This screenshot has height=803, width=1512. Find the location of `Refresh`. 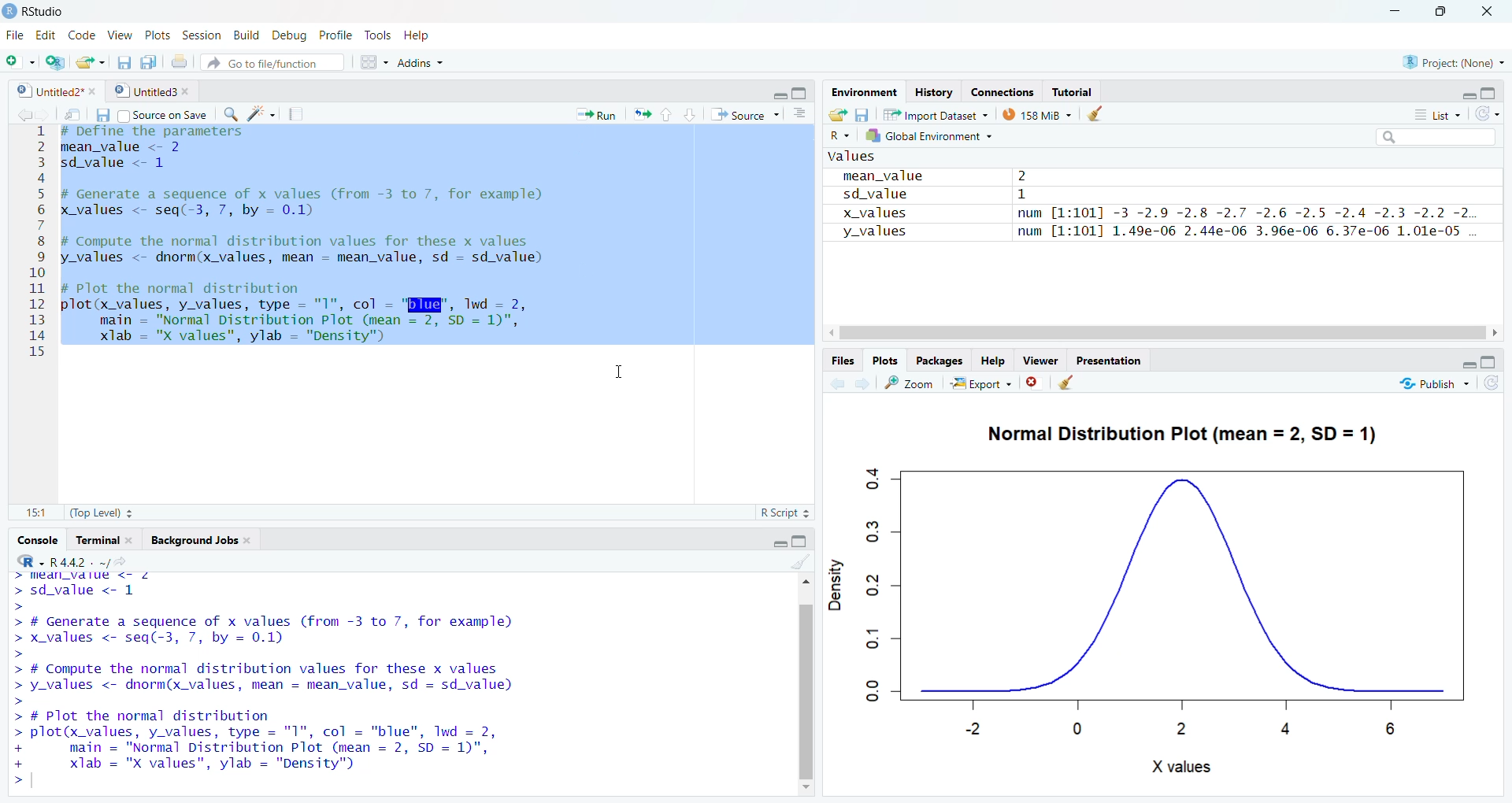

Refresh is located at coordinates (1492, 115).